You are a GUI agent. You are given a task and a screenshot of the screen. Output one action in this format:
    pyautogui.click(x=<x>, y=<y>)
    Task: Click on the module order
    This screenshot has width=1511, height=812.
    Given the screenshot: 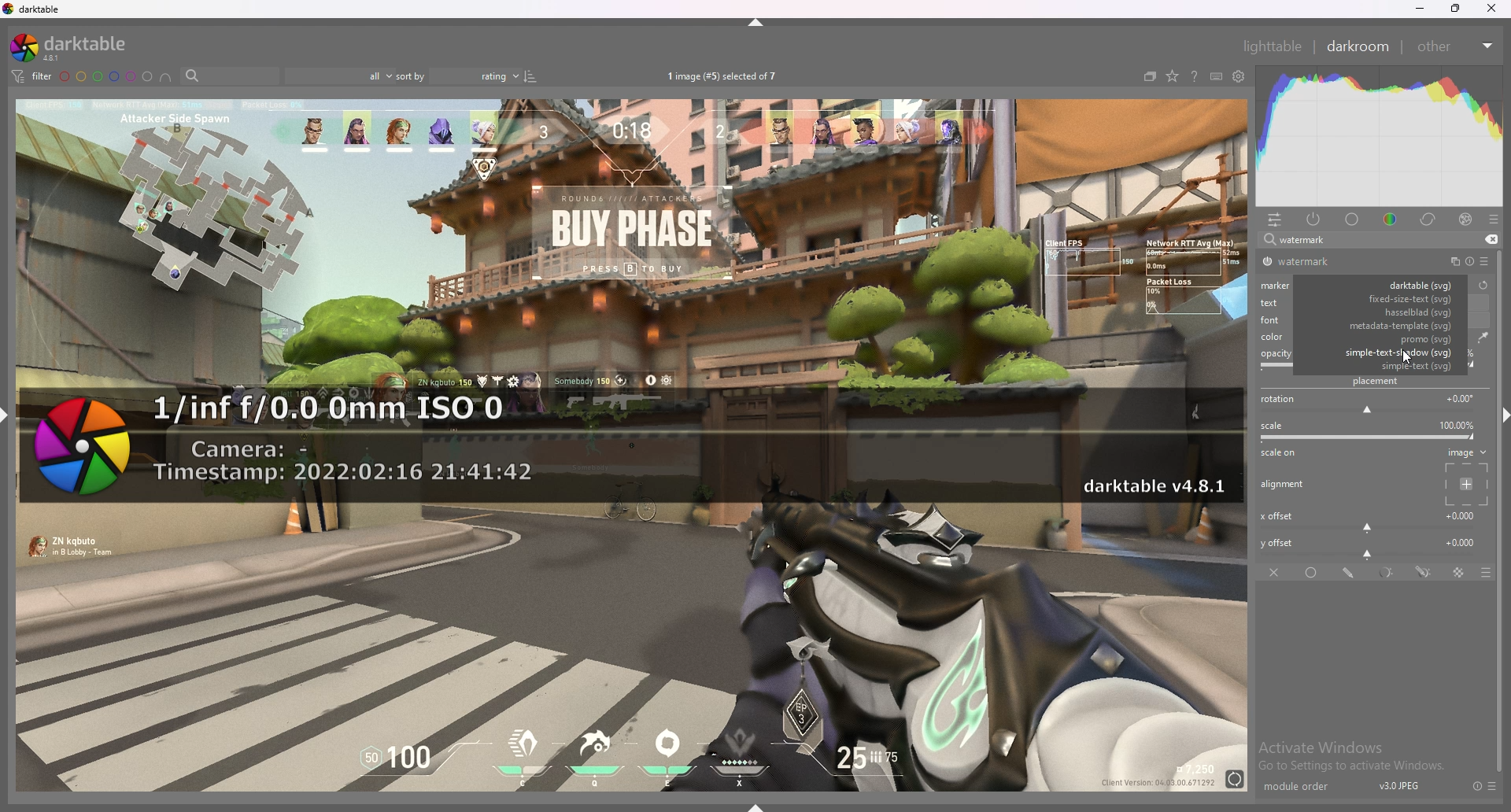 What is the action you would take?
    pyautogui.click(x=1304, y=787)
    